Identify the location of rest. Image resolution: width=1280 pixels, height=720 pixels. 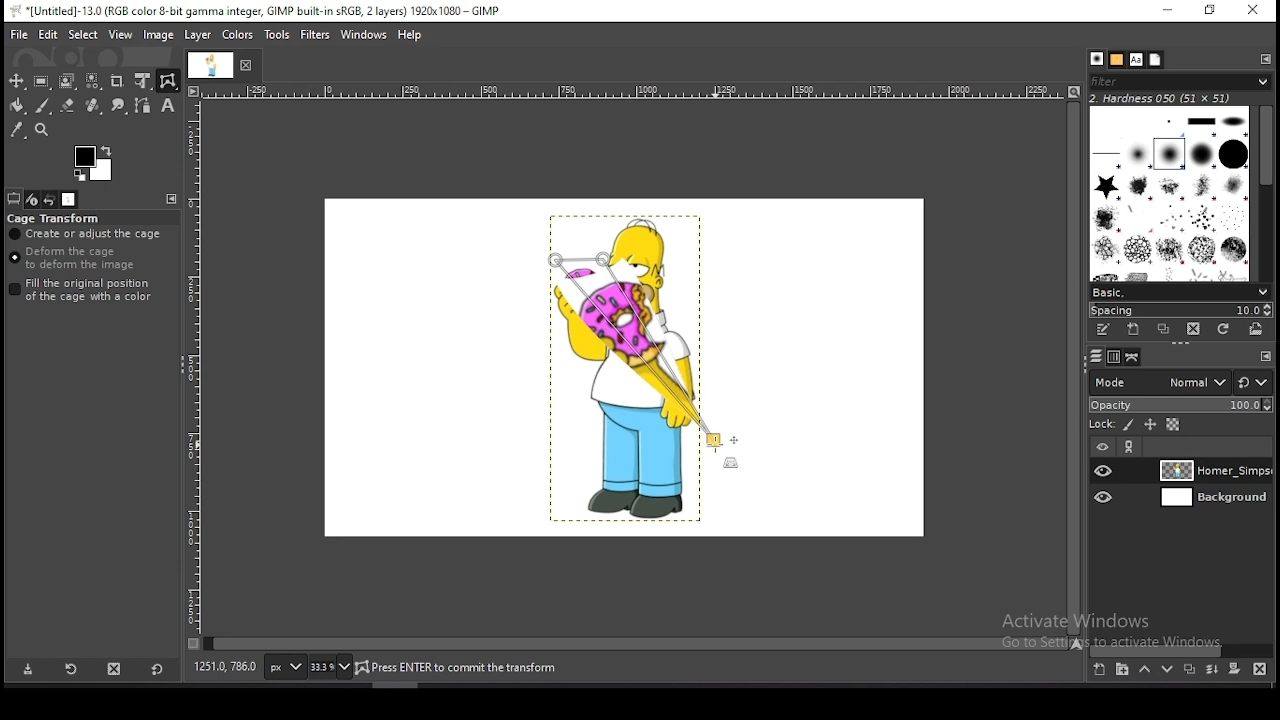
(1253, 382).